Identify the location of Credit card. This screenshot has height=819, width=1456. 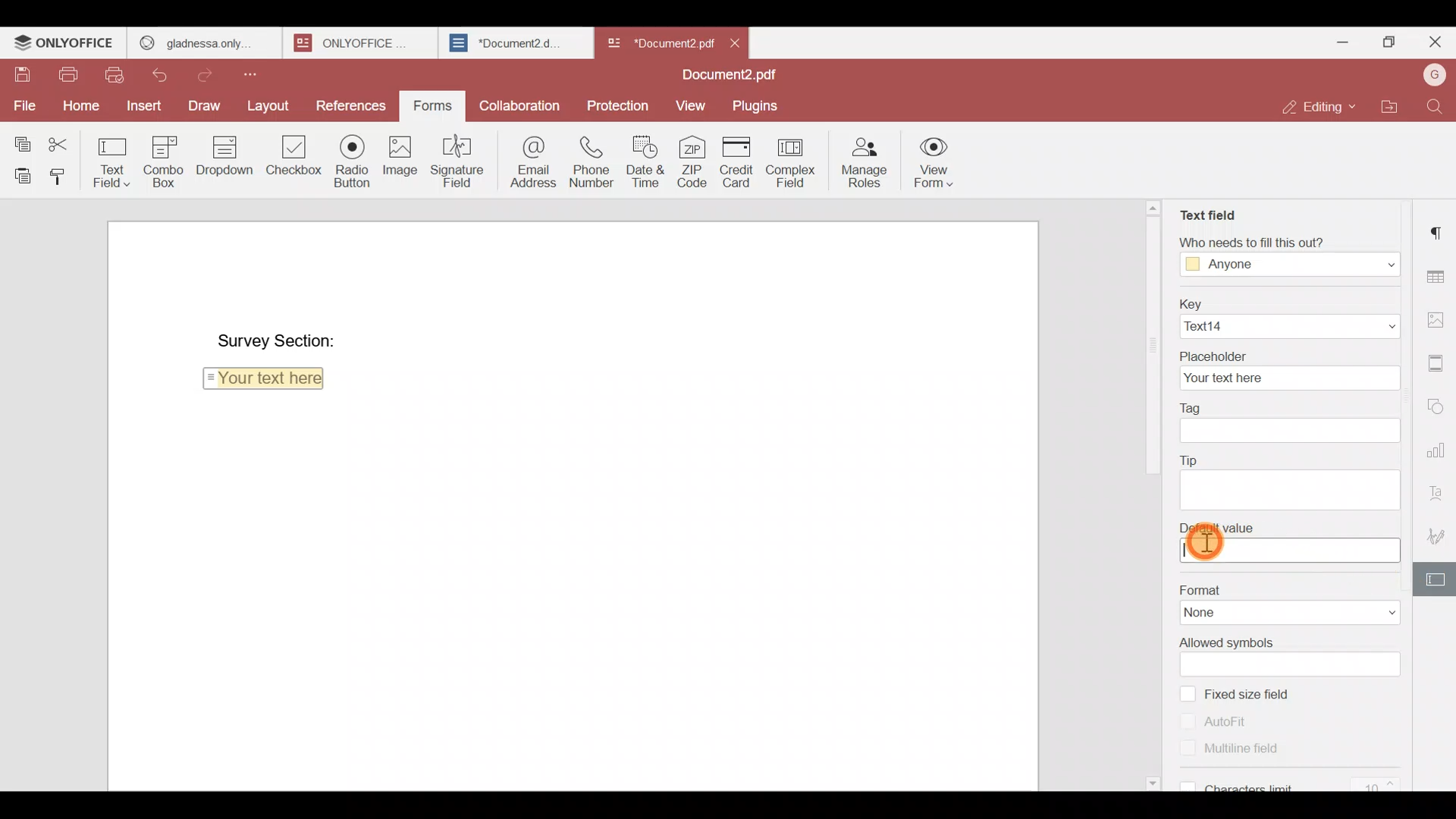
(739, 162).